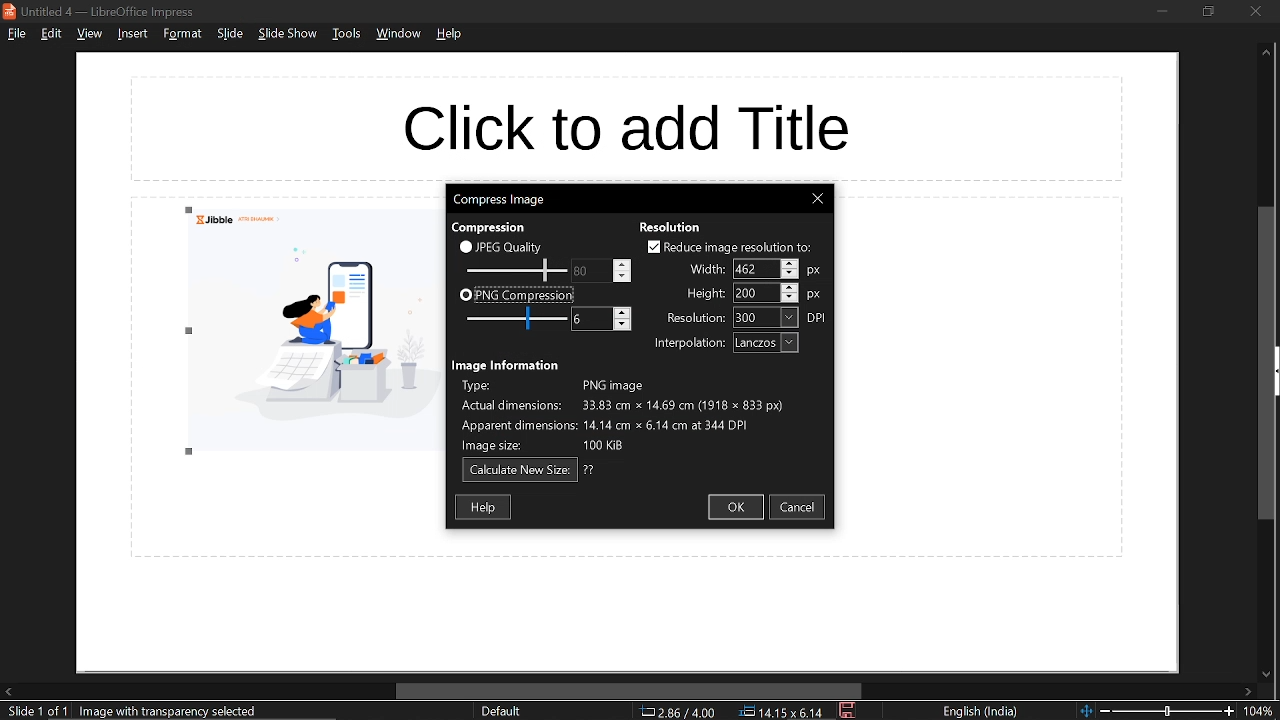 This screenshot has width=1280, height=720. What do you see at coordinates (789, 286) in the screenshot?
I see `increase height` at bounding box center [789, 286].